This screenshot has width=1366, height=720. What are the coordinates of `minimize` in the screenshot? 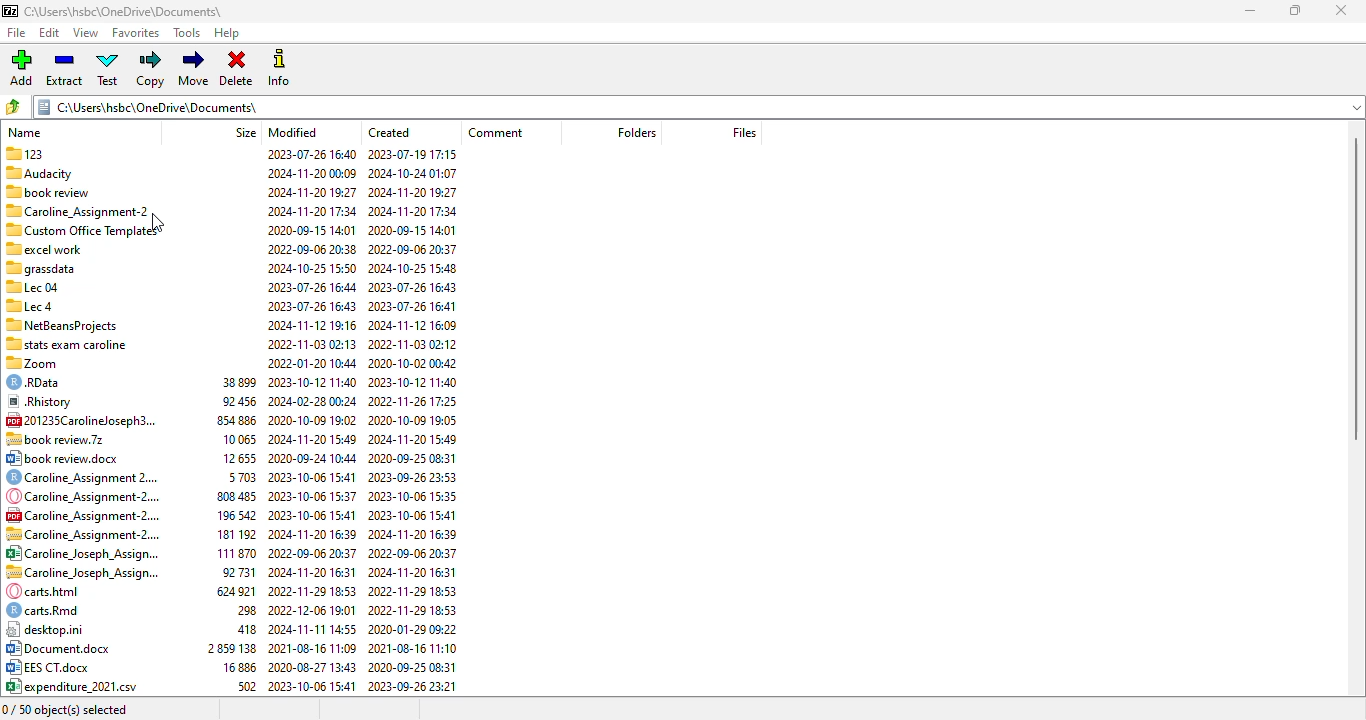 It's located at (1251, 11).